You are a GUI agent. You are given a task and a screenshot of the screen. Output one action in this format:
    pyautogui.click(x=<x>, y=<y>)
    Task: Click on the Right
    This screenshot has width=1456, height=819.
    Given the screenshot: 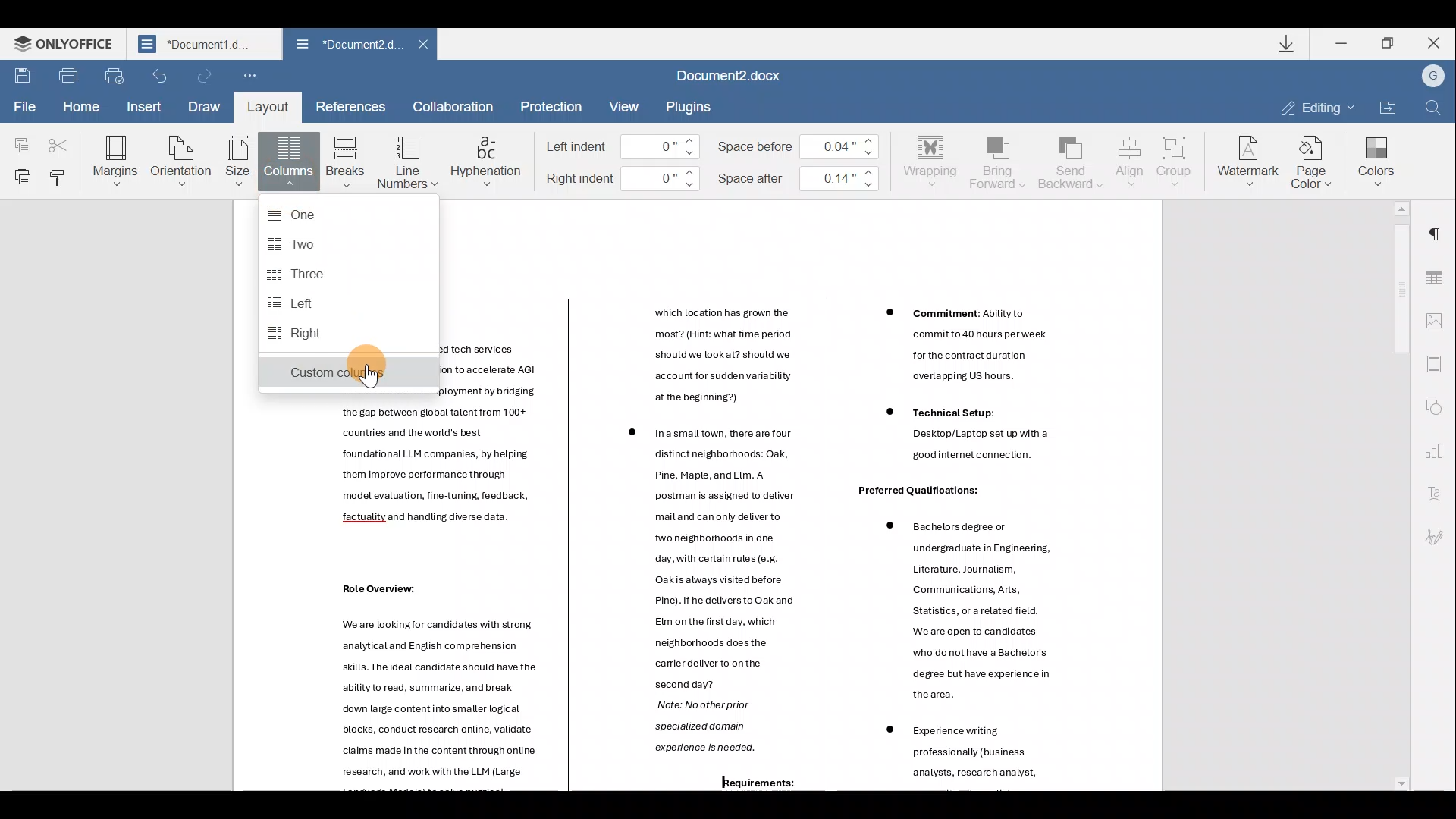 What is the action you would take?
    pyautogui.click(x=306, y=334)
    